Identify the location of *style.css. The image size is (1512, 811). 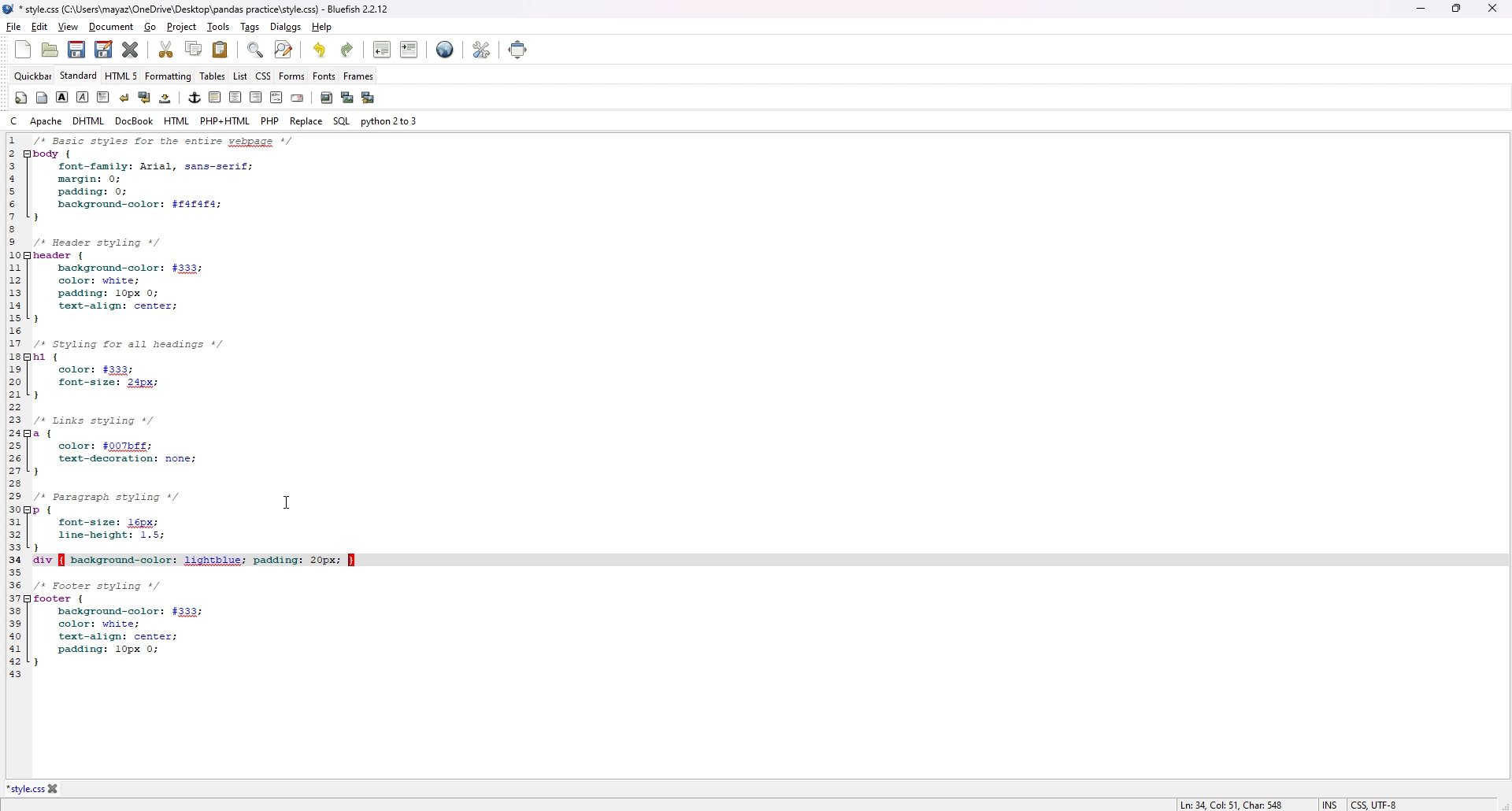
(25, 788).